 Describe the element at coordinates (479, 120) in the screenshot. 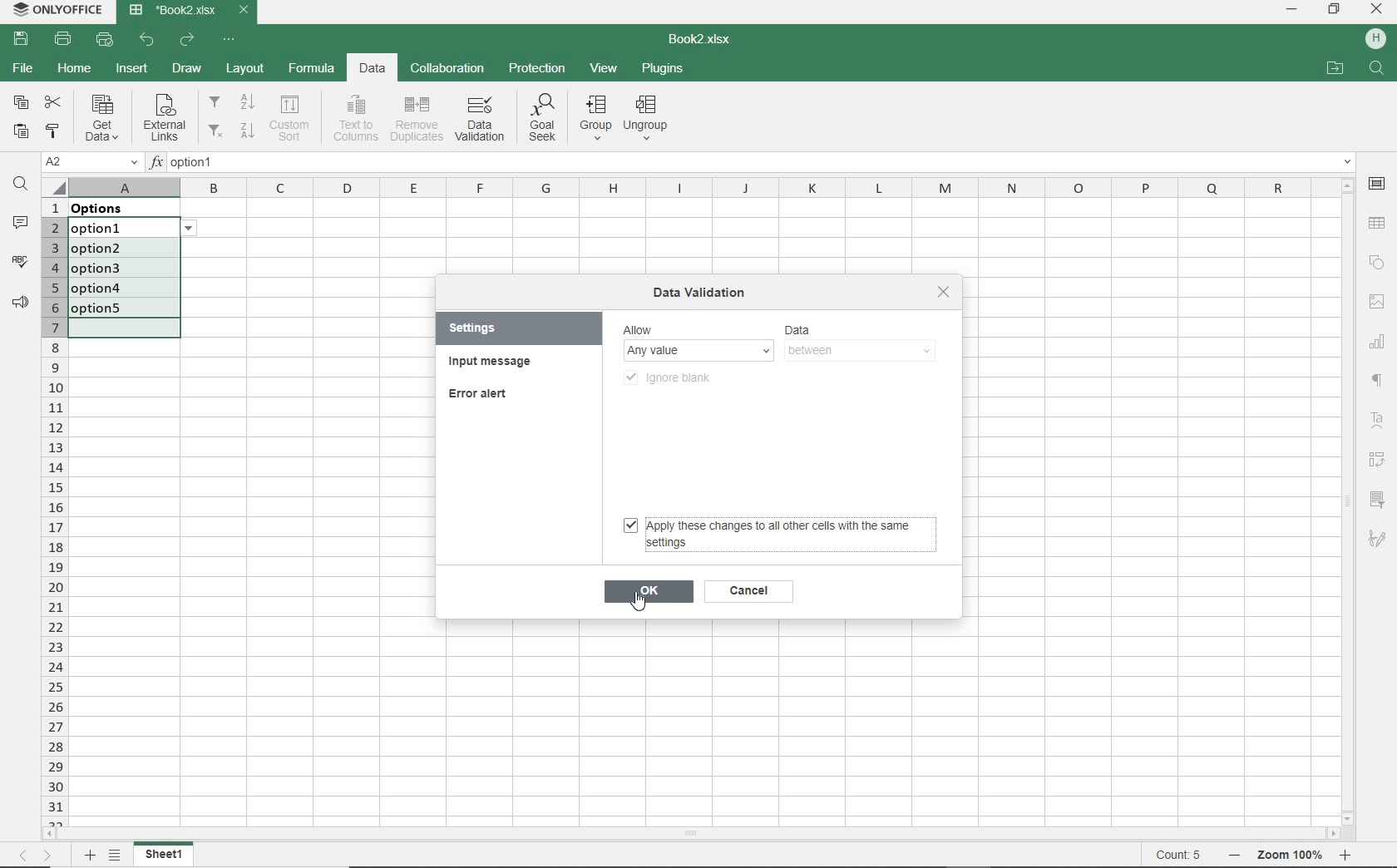

I see `DATA VALIDATION` at that location.